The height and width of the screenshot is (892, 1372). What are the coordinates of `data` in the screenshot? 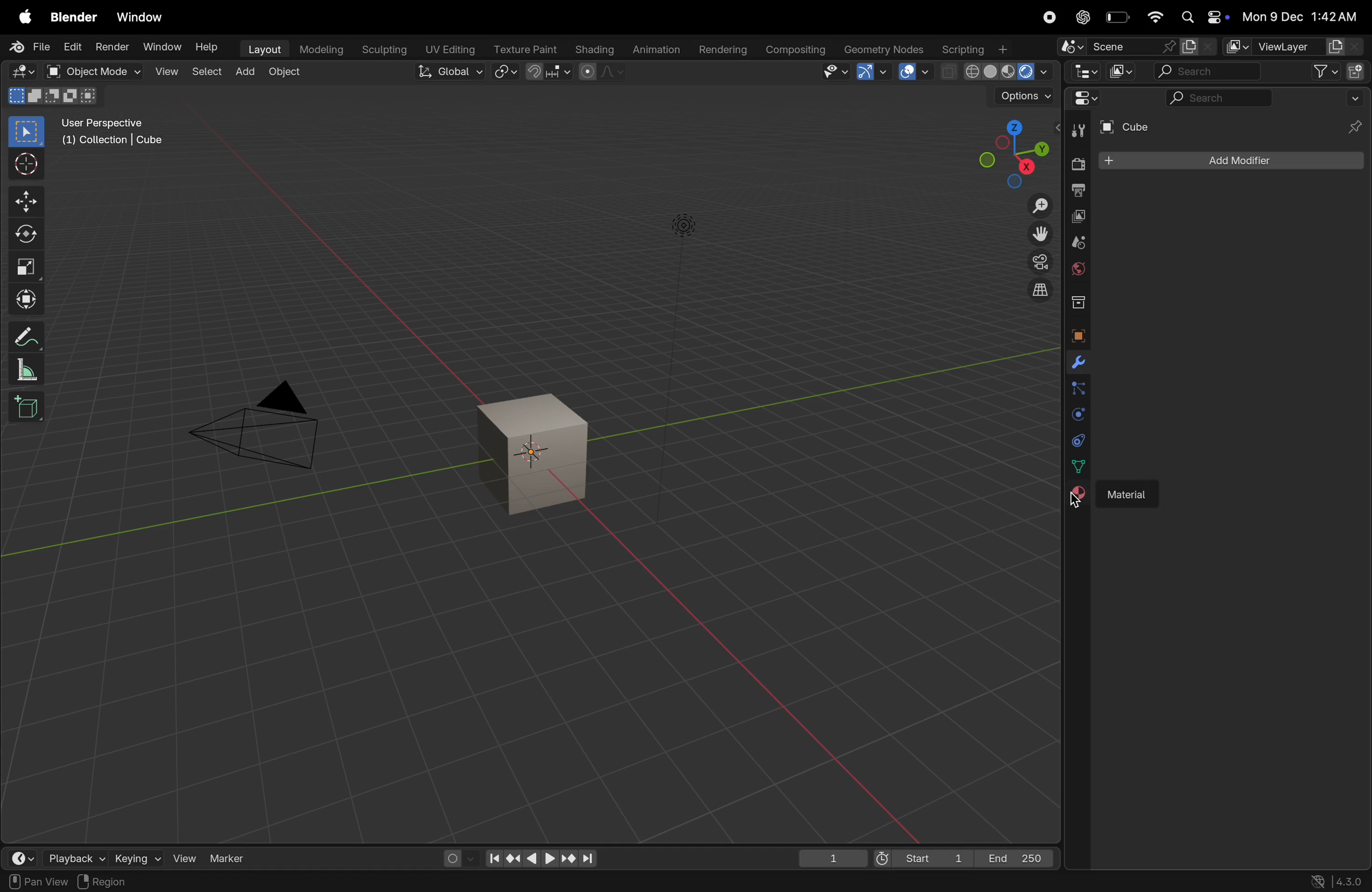 It's located at (1080, 466).